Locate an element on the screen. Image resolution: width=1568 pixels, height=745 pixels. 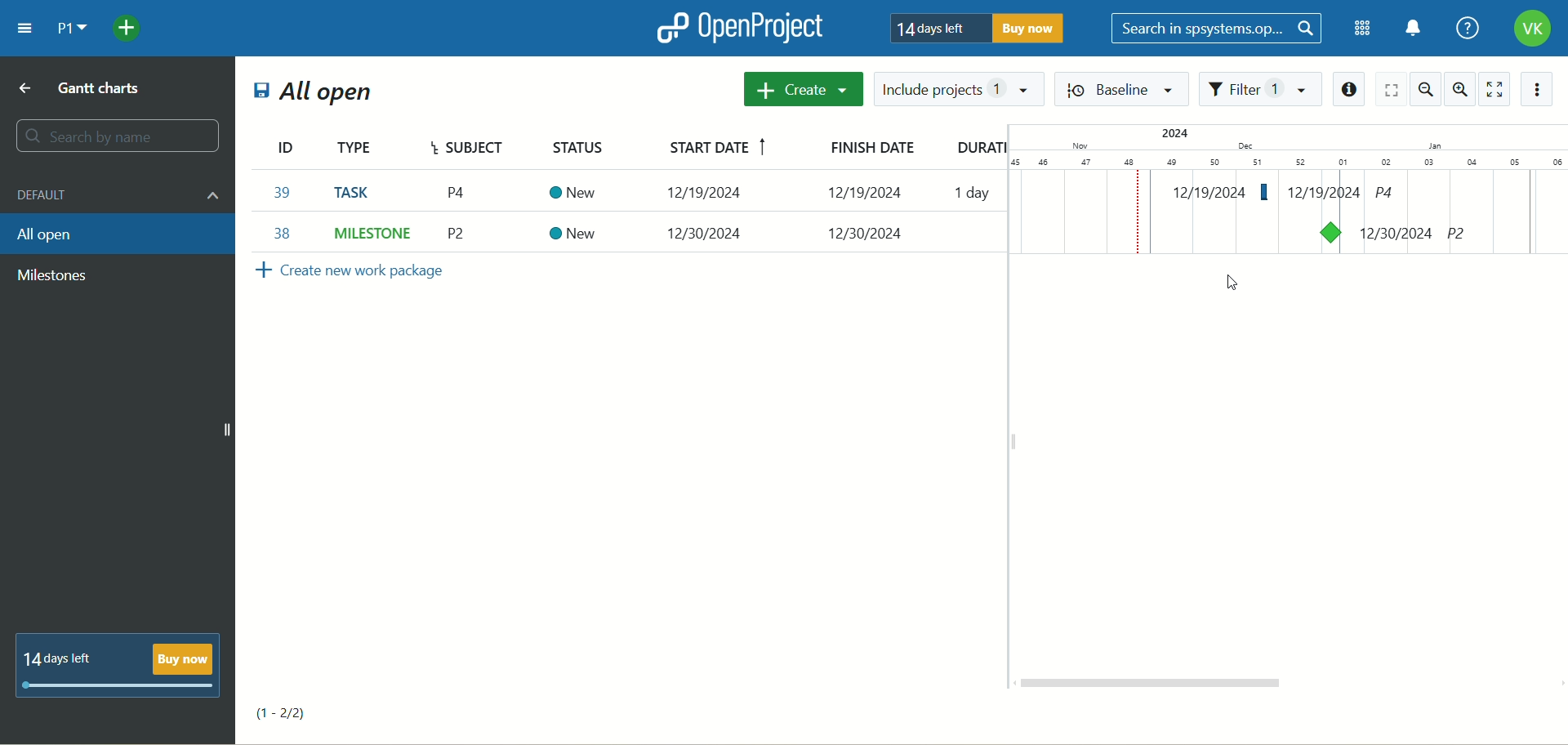
gantt charts is located at coordinates (81, 90).